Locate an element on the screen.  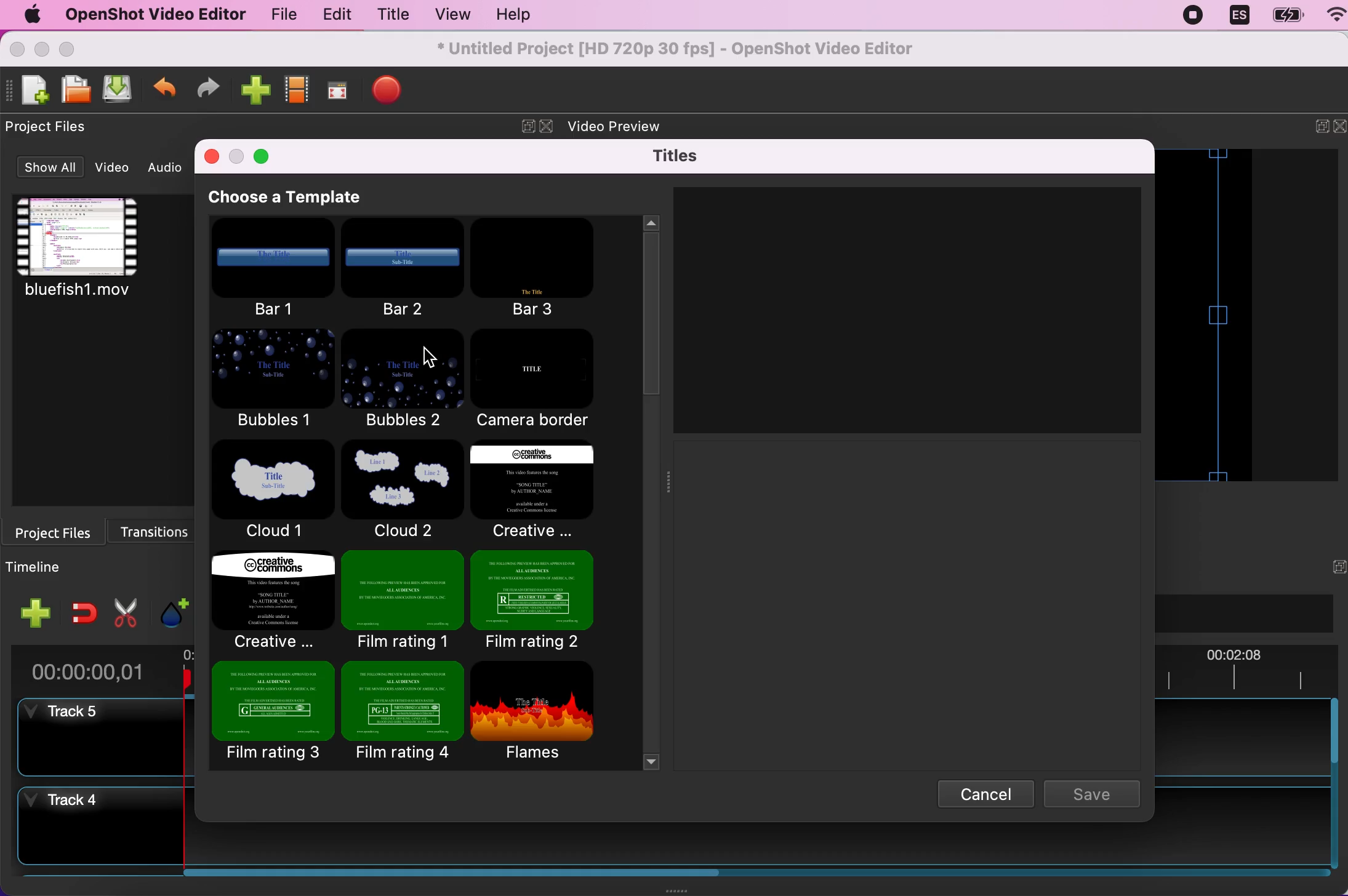
enable snapping is located at coordinates (84, 612).